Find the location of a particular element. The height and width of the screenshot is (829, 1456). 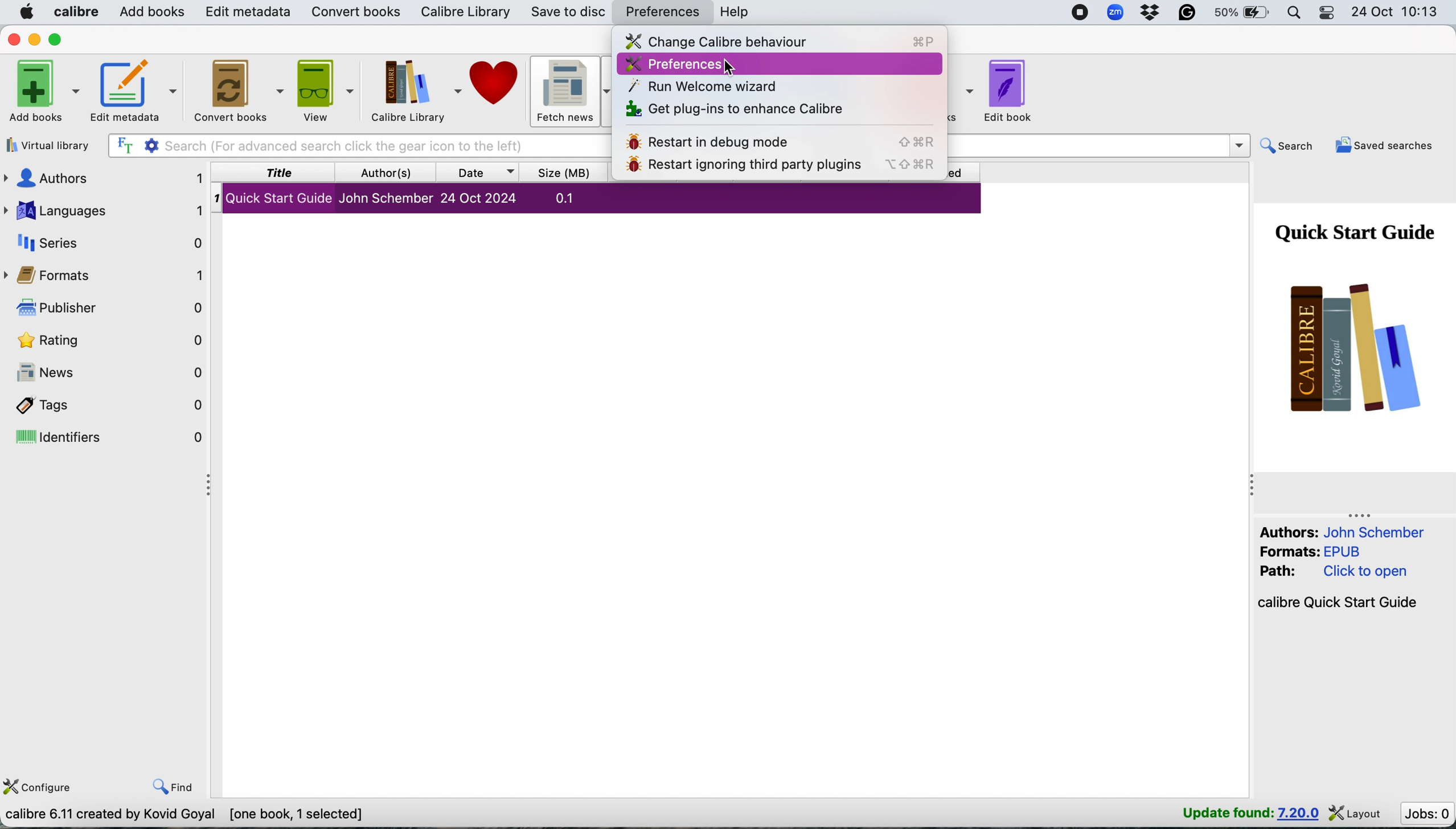

restart in debug mode is located at coordinates (778, 139).